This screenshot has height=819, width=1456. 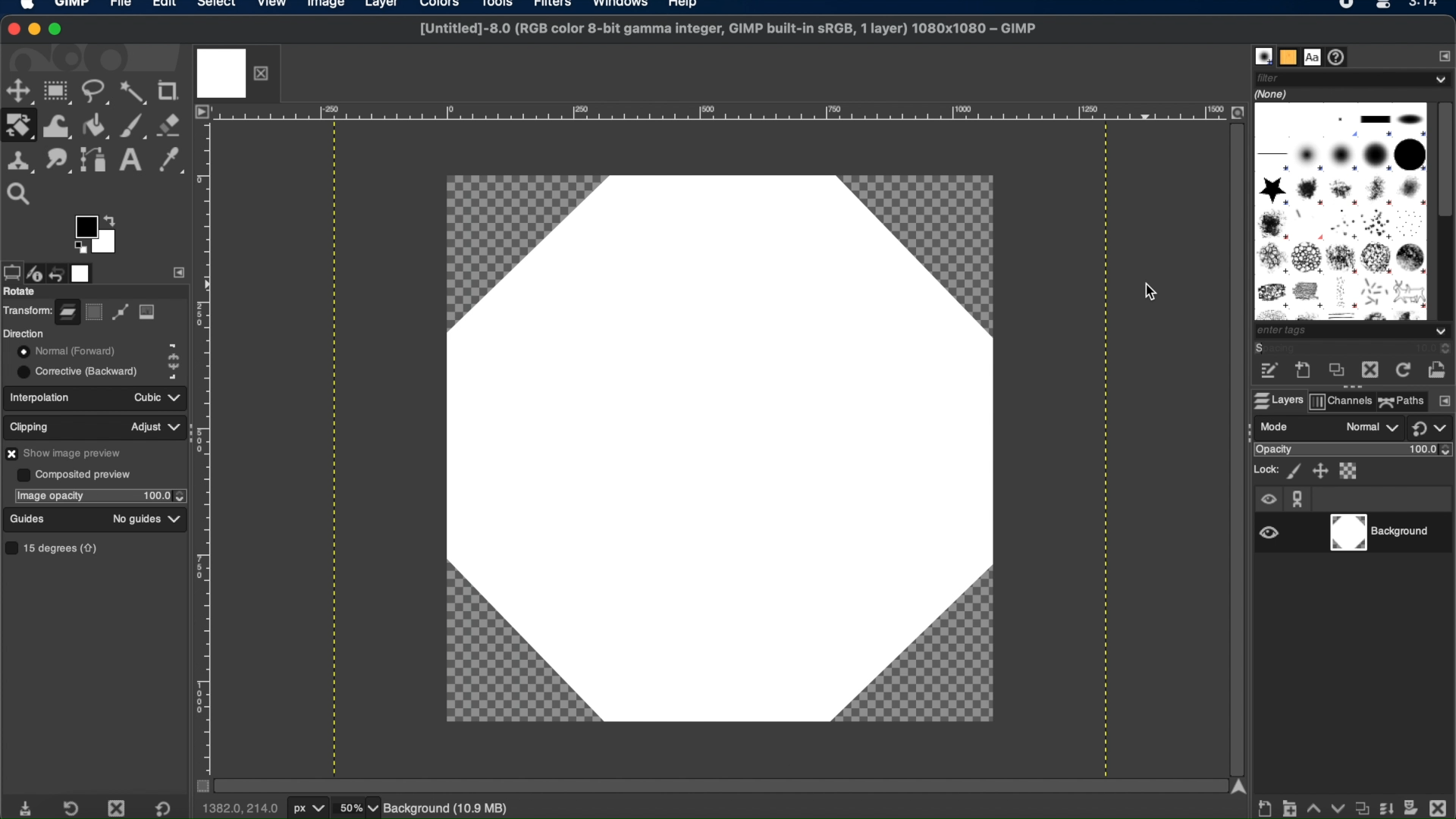 I want to click on clone tool, so click(x=20, y=159).